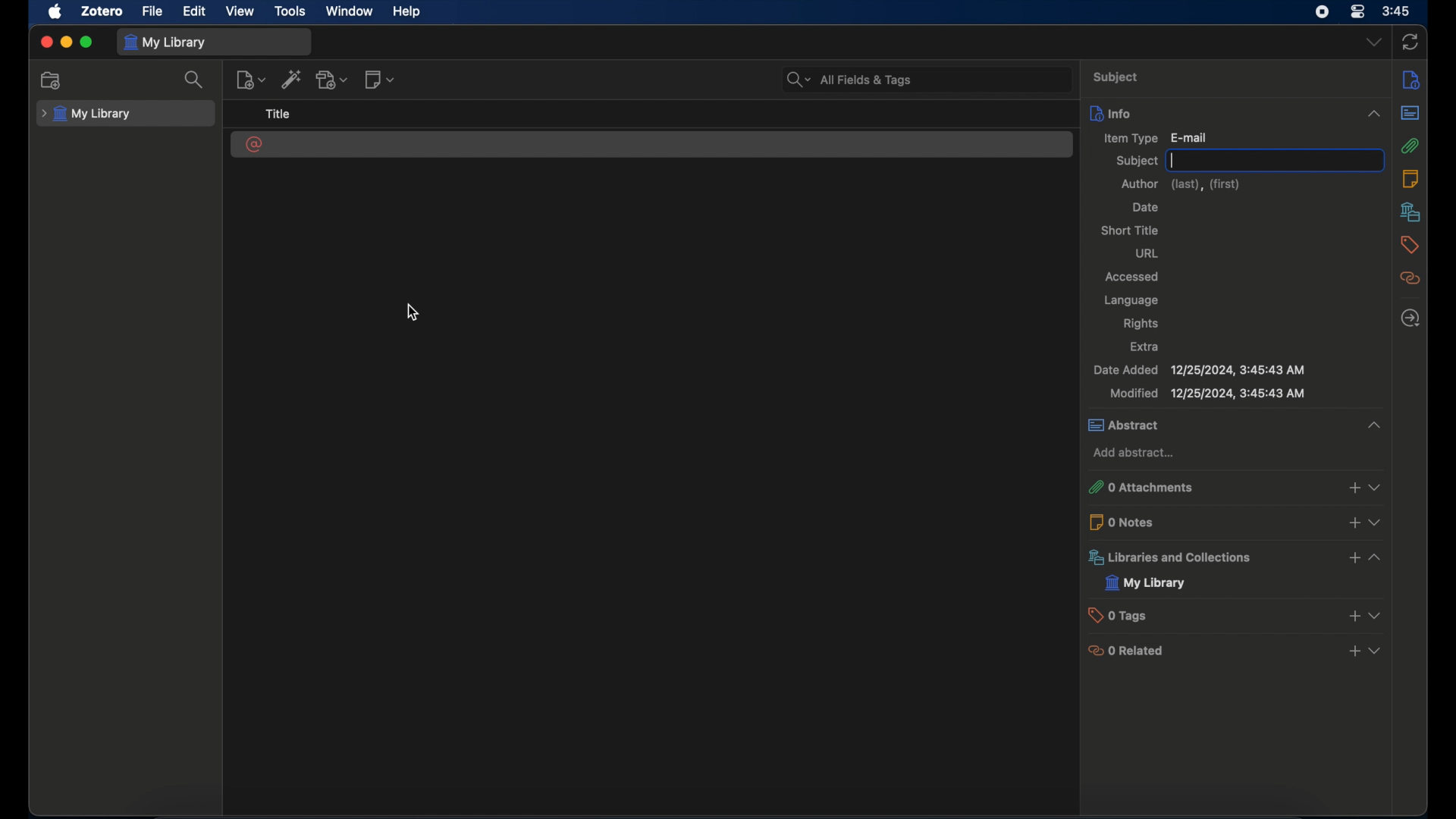 The height and width of the screenshot is (819, 1456). Describe the element at coordinates (45, 42) in the screenshot. I see `close` at that location.